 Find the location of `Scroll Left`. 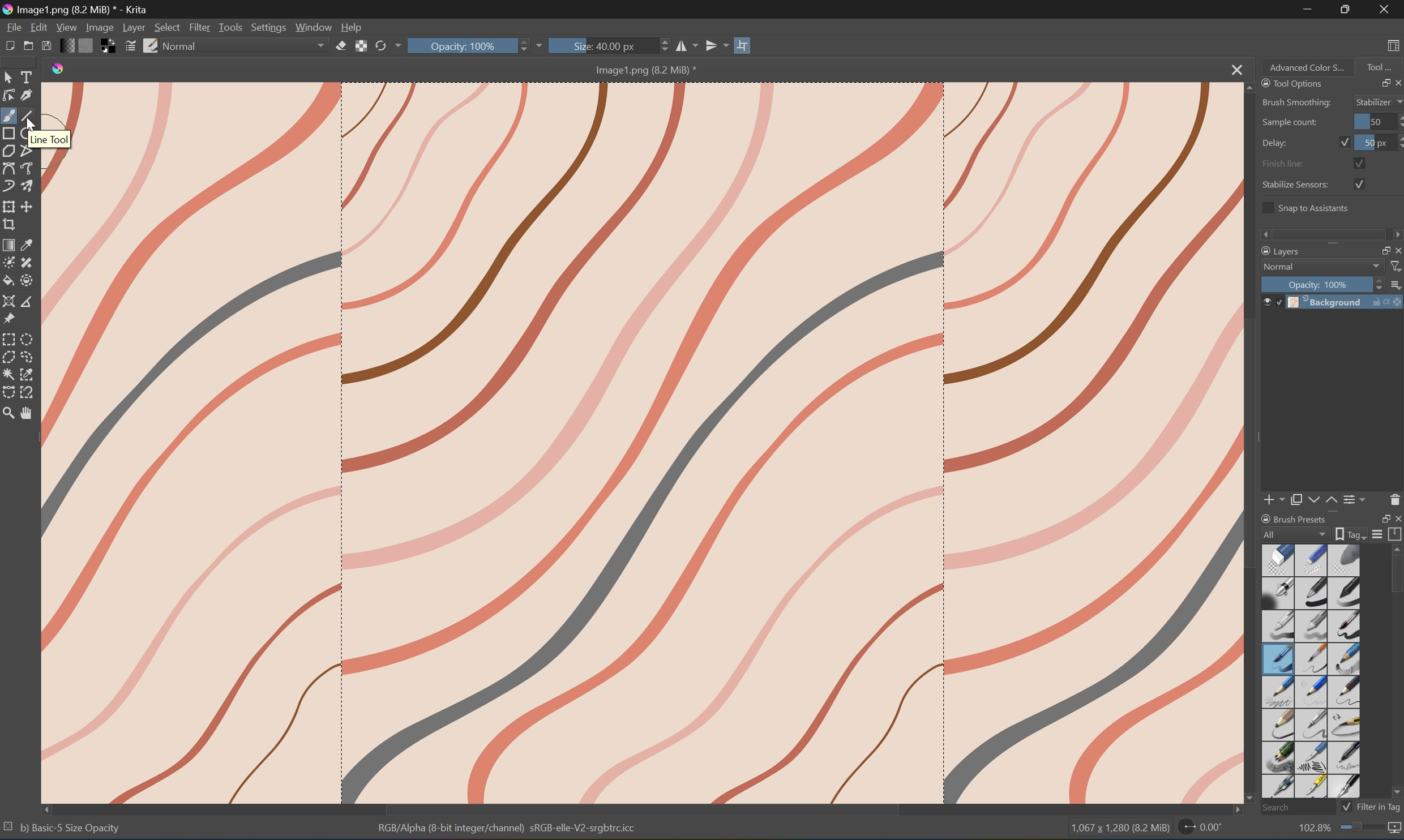

Scroll Left is located at coordinates (1266, 234).